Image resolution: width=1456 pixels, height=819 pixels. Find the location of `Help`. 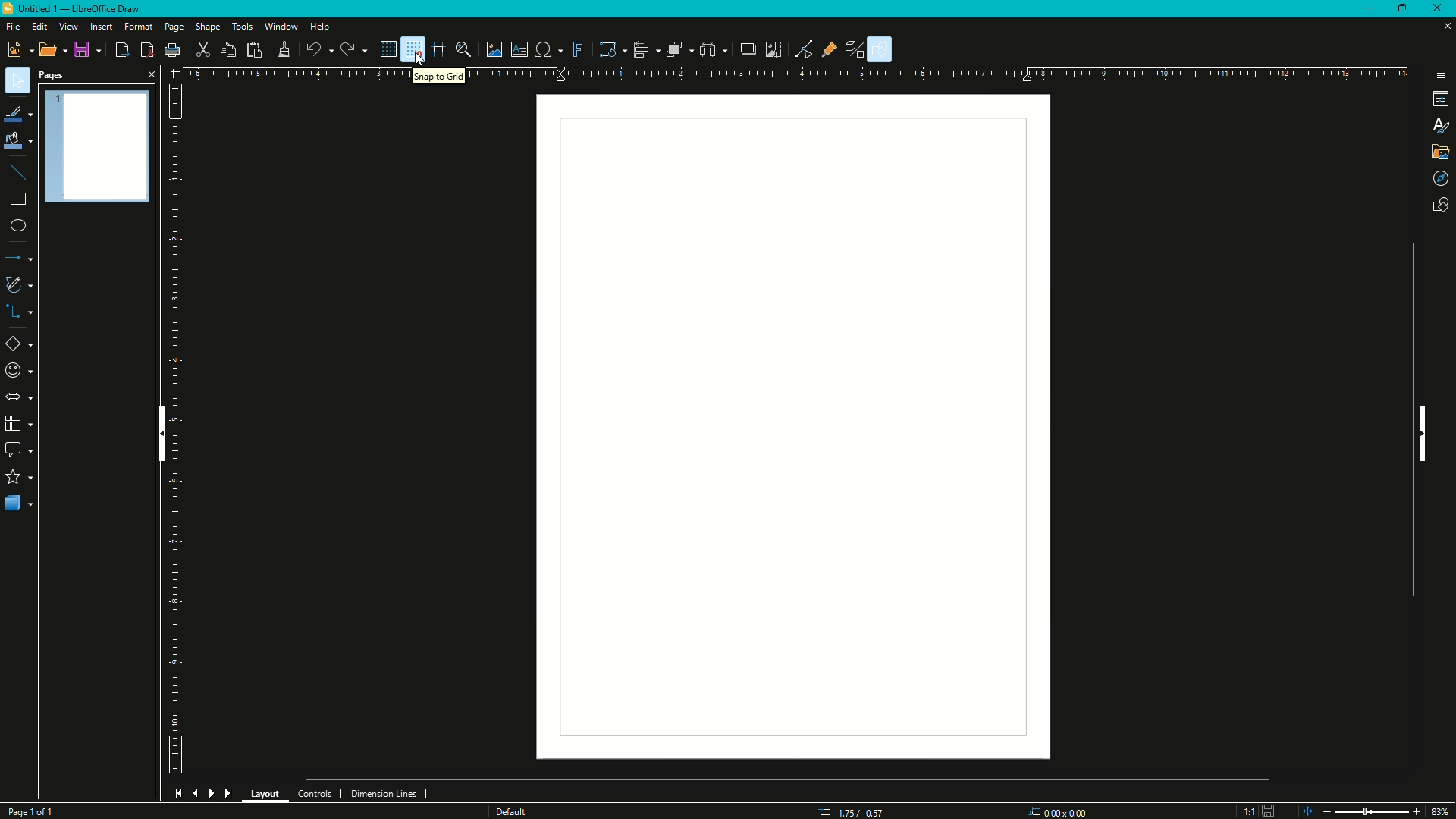

Help is located at coordinates (321, 27).